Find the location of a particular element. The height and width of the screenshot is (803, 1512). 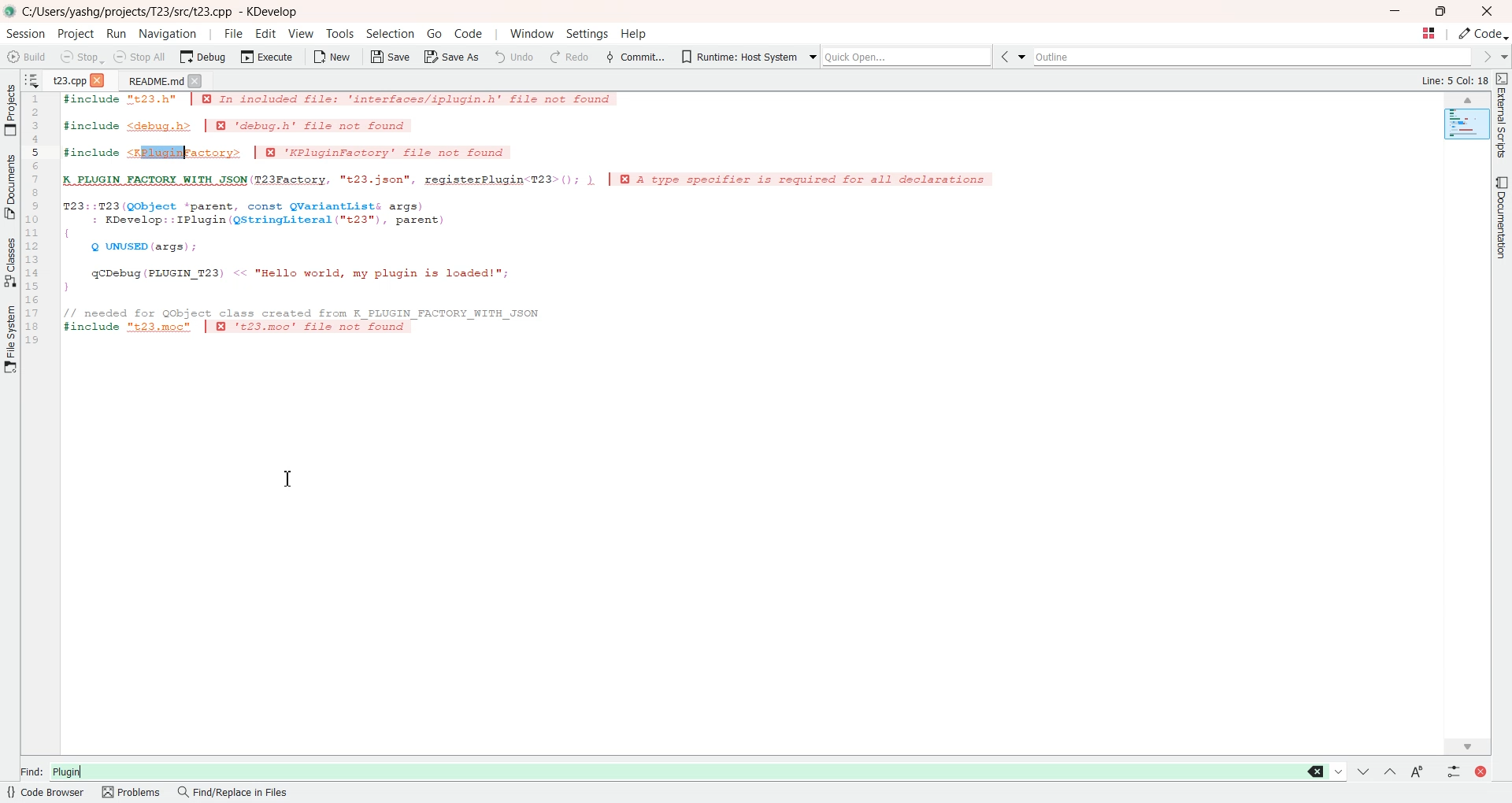

Close is located at coordinates (100, 79).